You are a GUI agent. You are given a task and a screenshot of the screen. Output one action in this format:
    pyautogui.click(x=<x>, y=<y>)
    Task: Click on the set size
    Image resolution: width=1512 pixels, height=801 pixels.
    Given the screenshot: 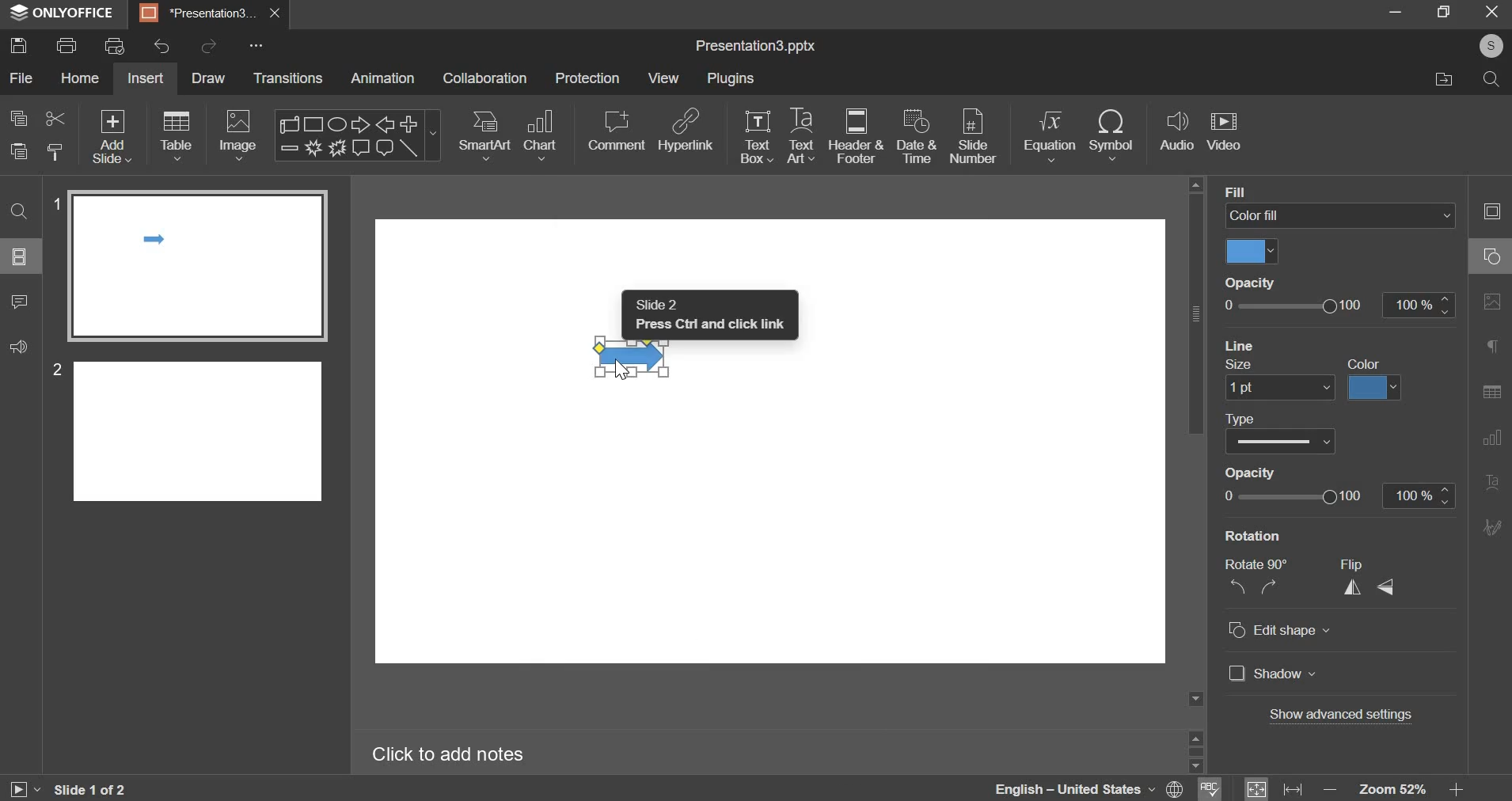 What is the action you would take?
    pyautogui.click(x=1279, y=389)
    